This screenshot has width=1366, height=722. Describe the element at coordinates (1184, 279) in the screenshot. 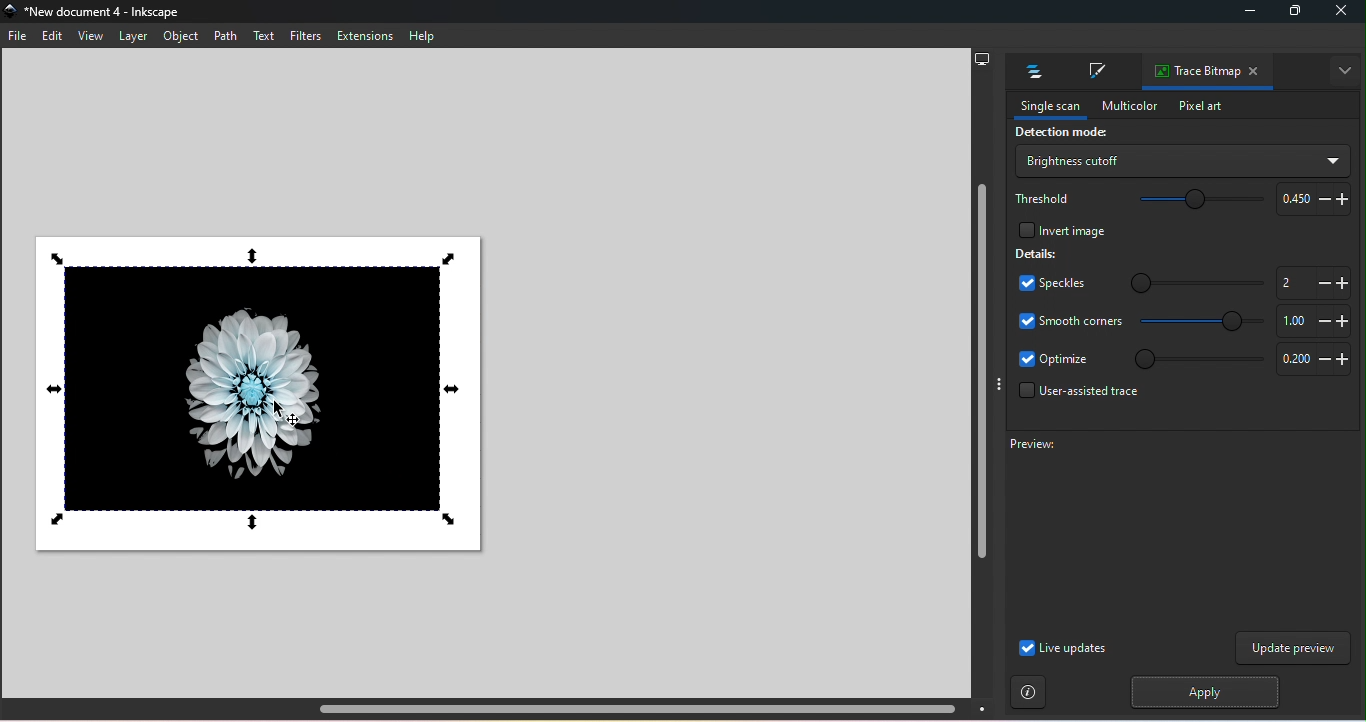

I see `Speckles slide bar` at that location.